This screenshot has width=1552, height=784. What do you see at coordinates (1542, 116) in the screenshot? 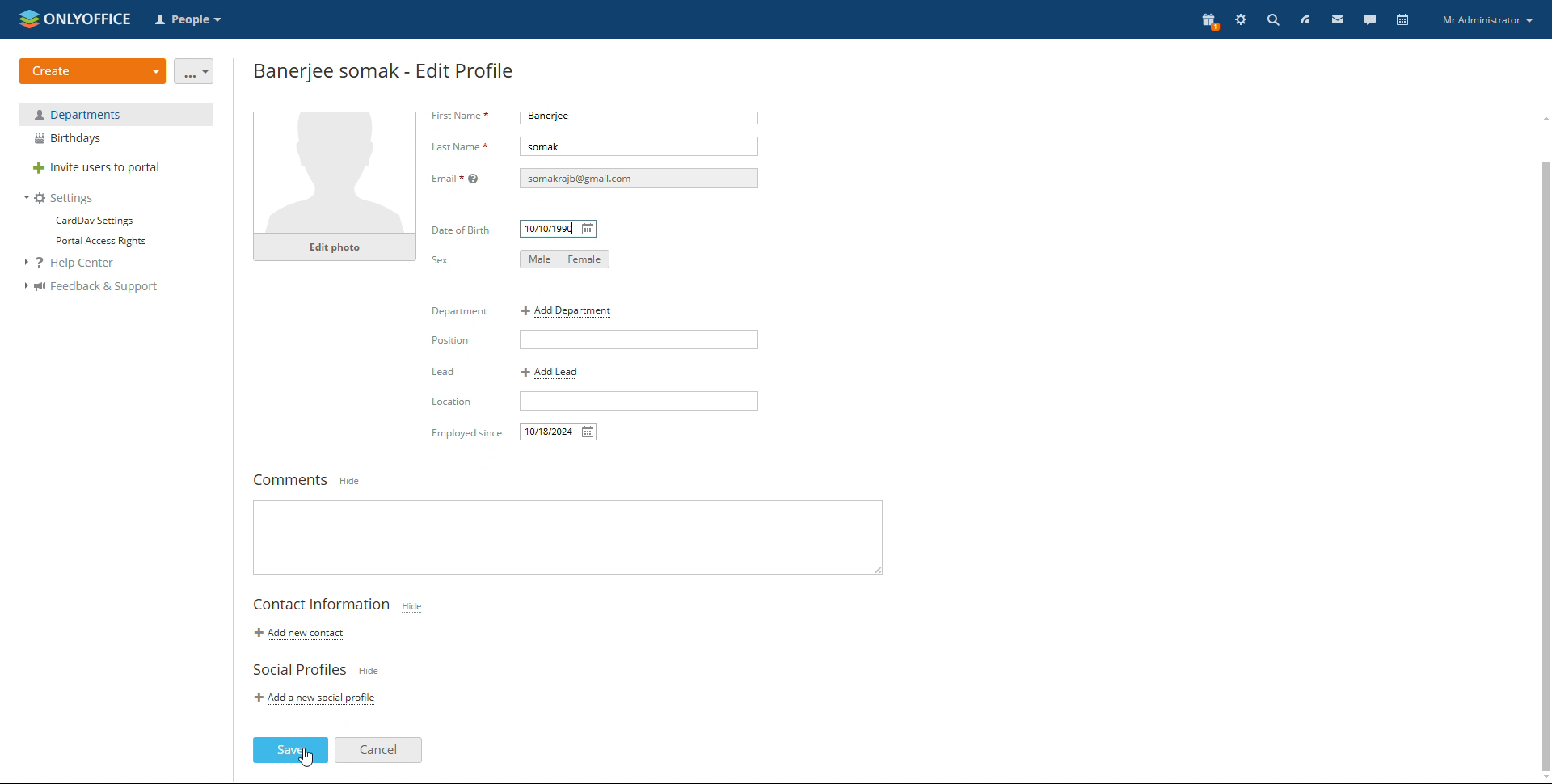
I see `scroll up` at bounding box center [1542, 116].